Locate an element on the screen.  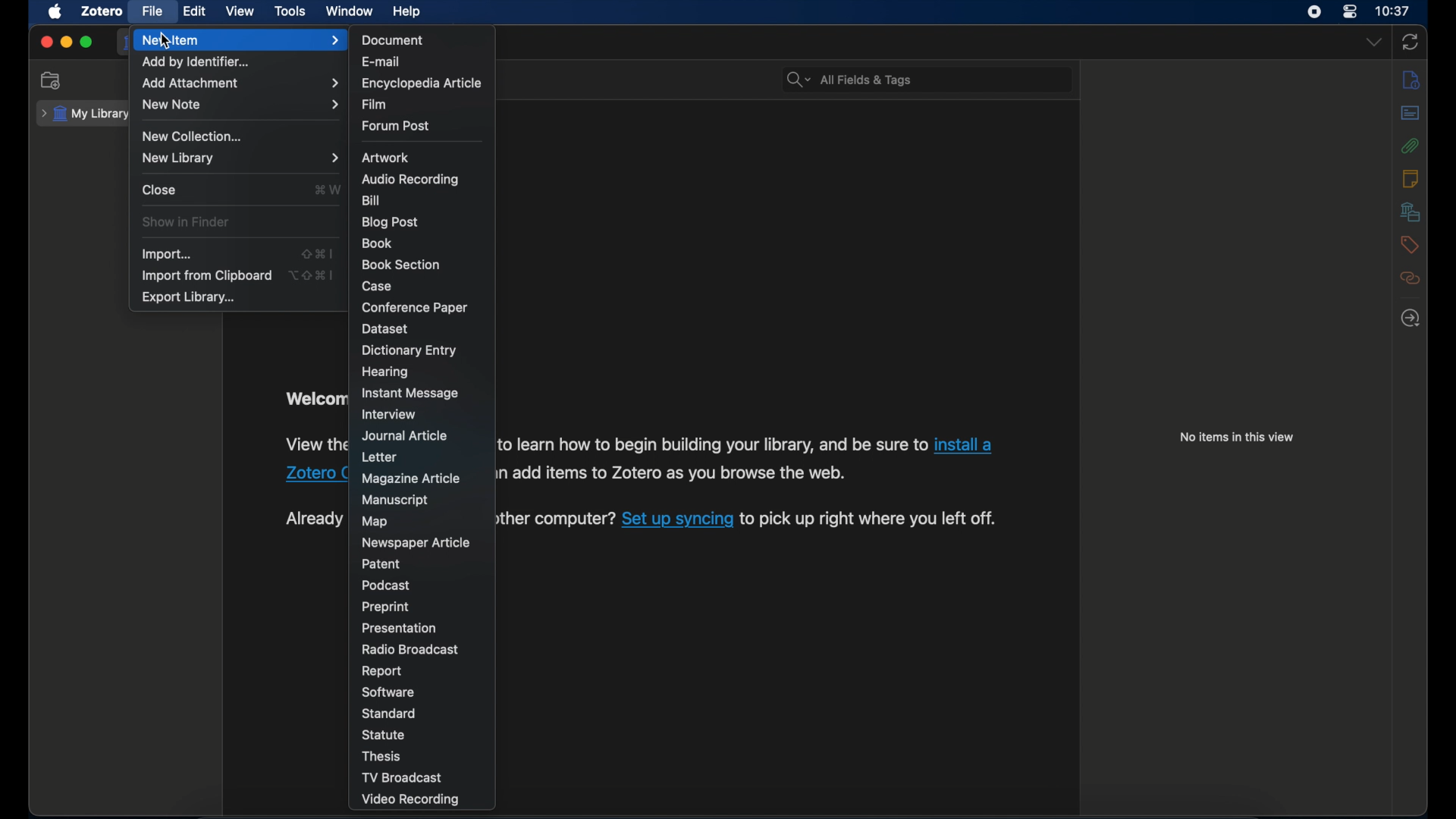
view is located at coordinates (241, 12).